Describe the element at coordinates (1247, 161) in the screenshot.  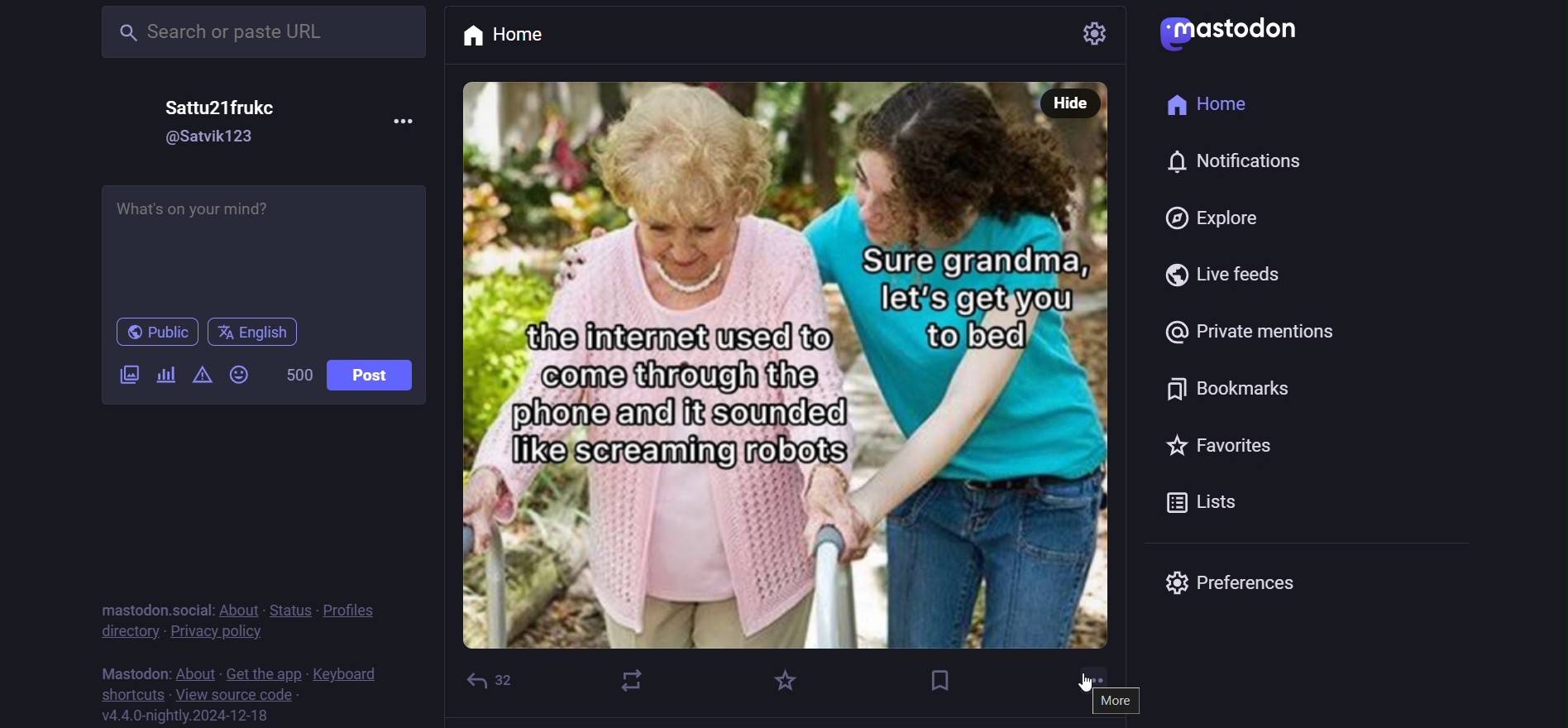
I see `notification` at that location.